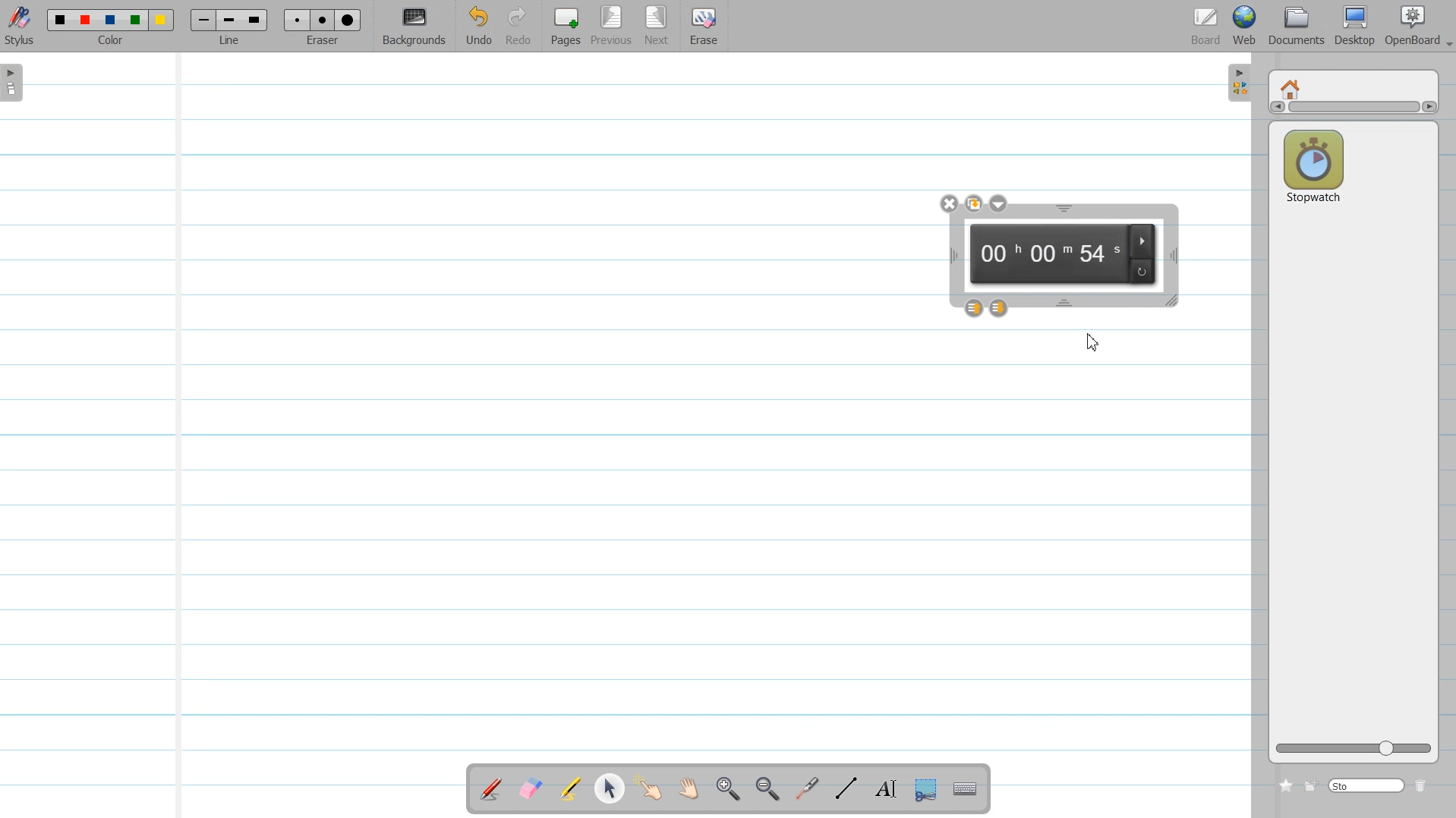 This screenshot has width=1456, height=818. Describe the element at coordinates (1049, 256) in the screenshot. I see `00` at that location.